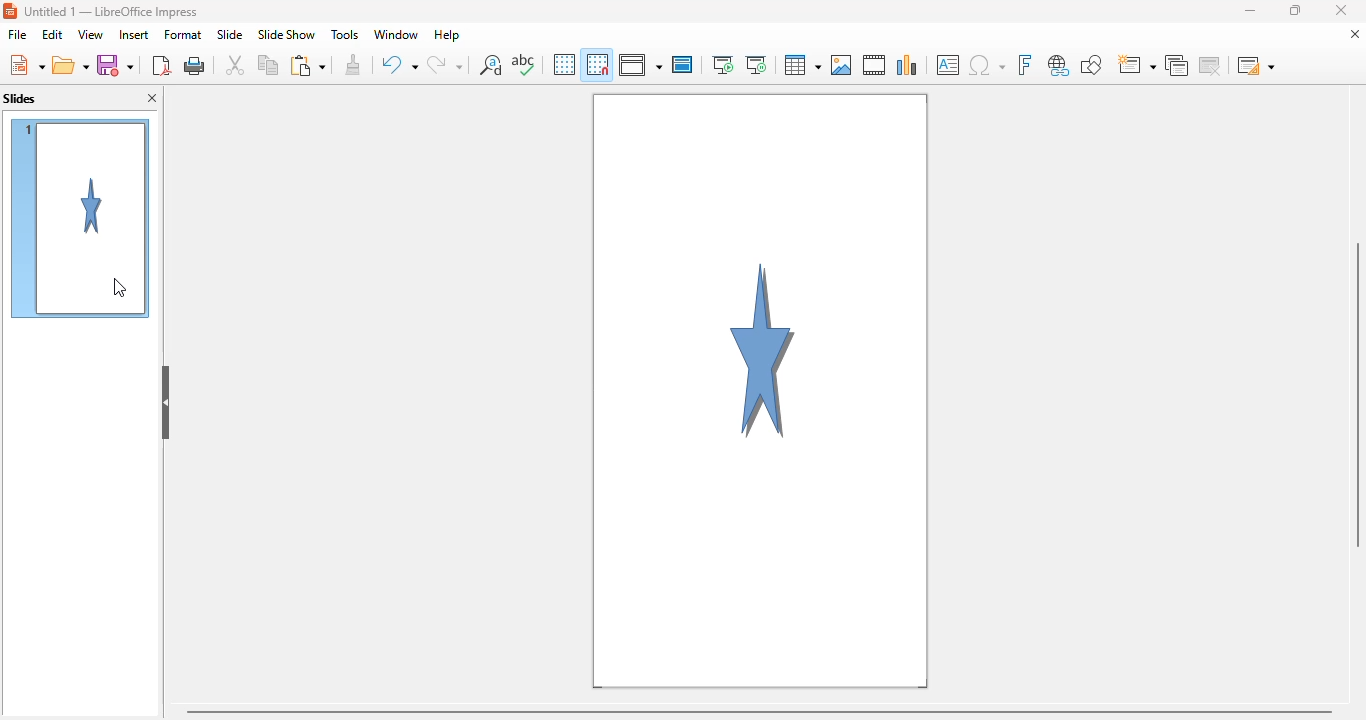 This screenshot has width=1366, height=720. I want to click on format, so click(183, 35).